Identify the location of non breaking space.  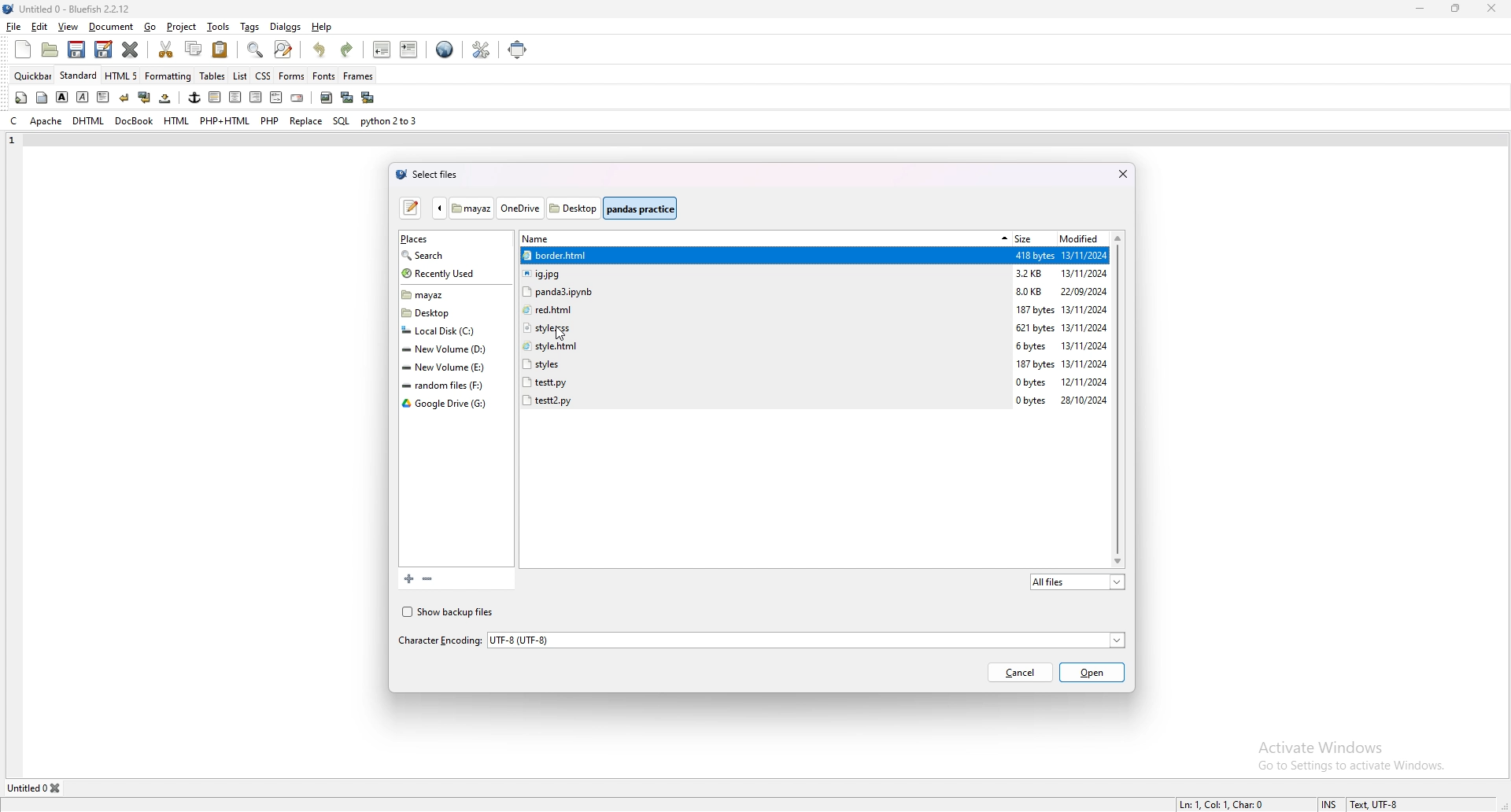
(166, 98).